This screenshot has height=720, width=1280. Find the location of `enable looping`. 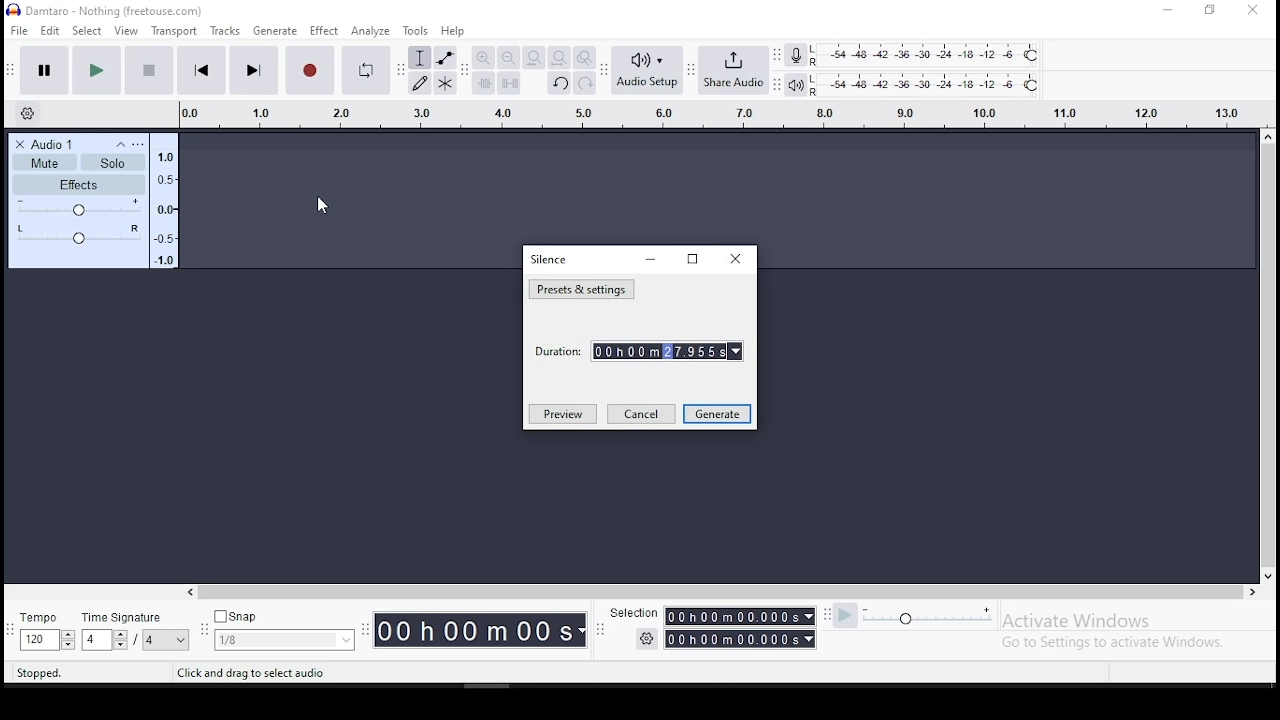

enable looping is located at coordinates (367, 70).